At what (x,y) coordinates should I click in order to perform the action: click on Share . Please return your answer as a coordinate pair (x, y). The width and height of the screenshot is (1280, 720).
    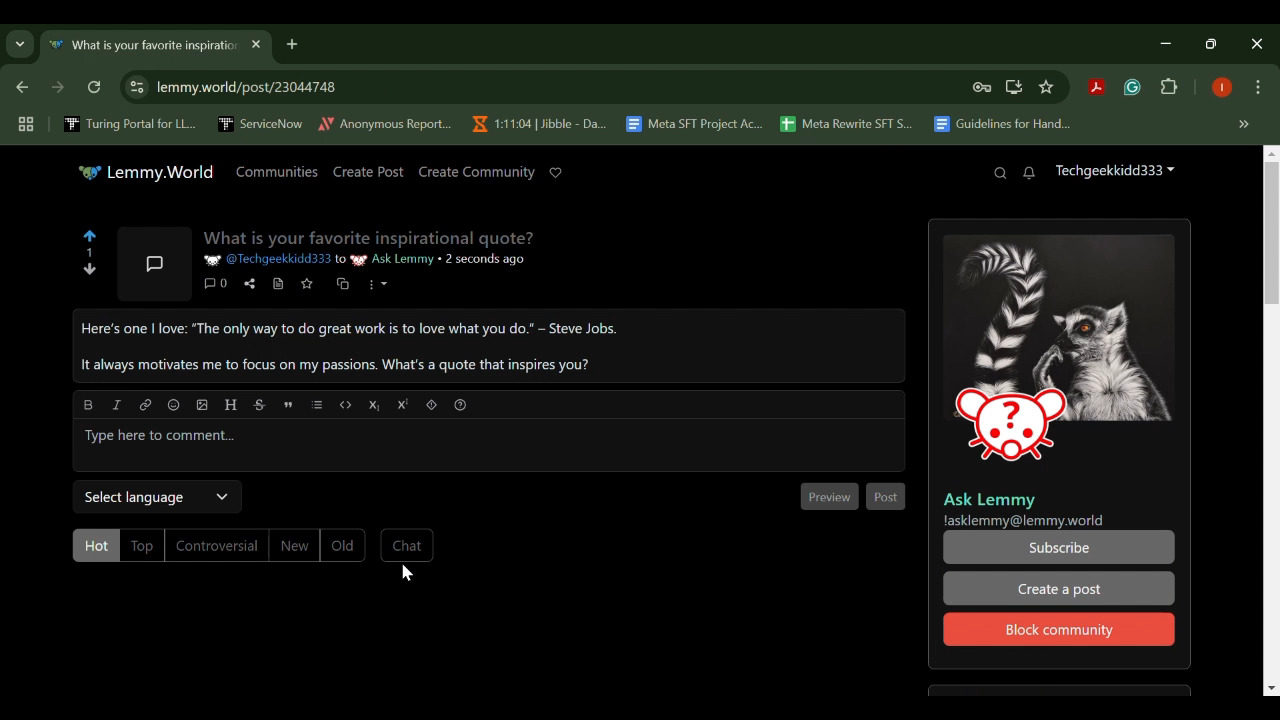
    Looking at the image, I should click on (251, 285).